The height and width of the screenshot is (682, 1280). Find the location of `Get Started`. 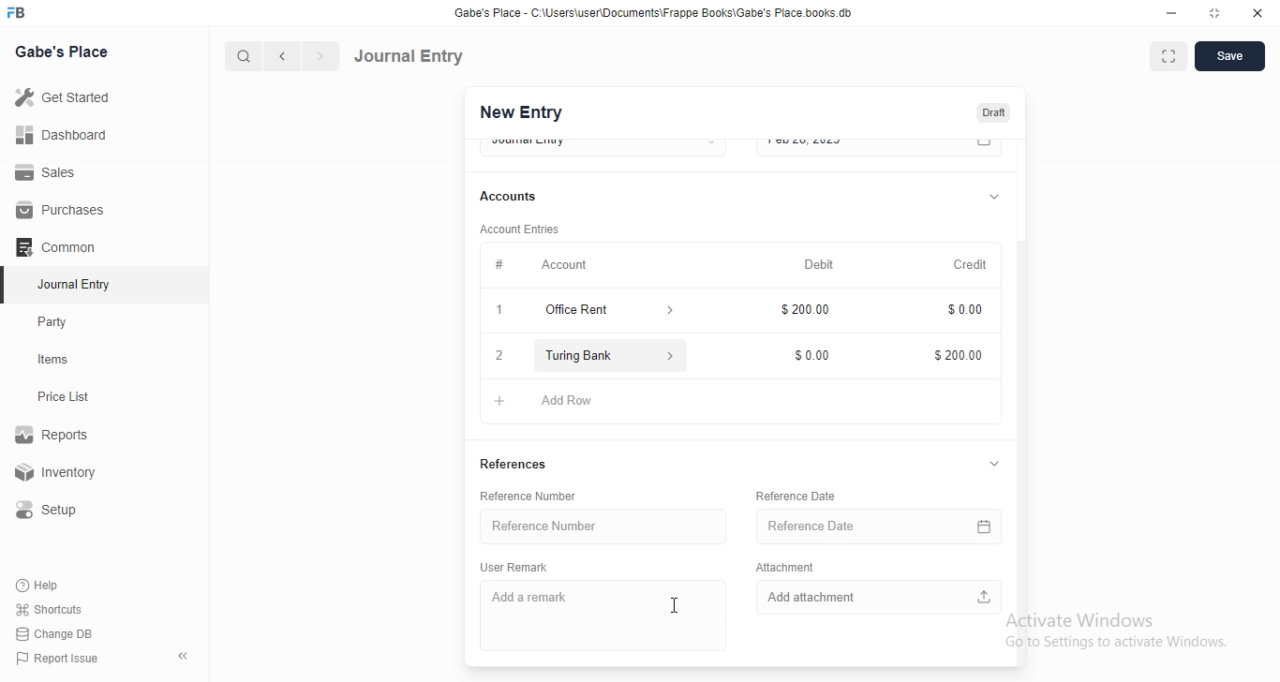

Get Started is located at coordinates (61, 99).